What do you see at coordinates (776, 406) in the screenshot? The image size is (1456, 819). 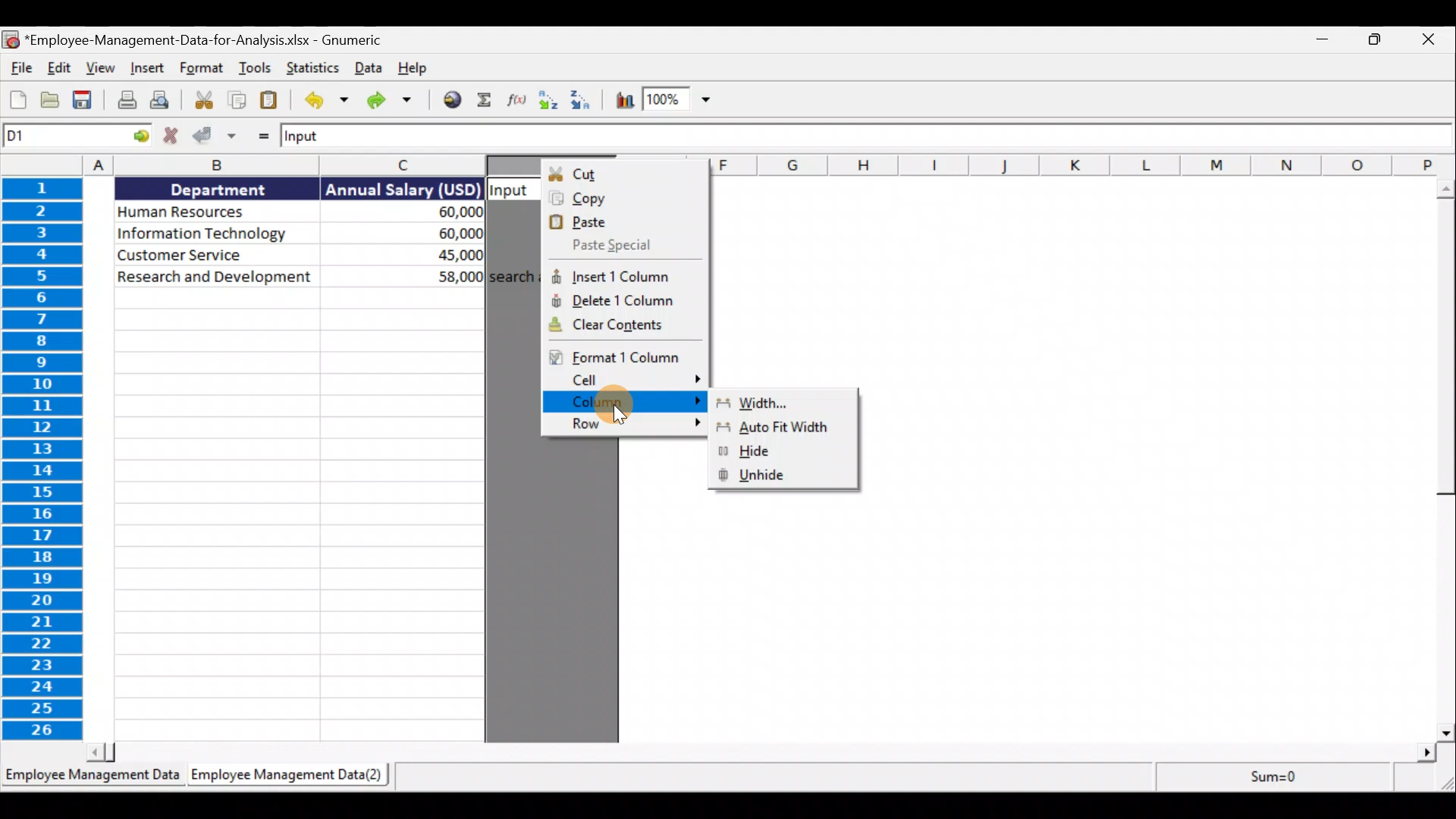 I see `Width` at bounding box center [776, 406].